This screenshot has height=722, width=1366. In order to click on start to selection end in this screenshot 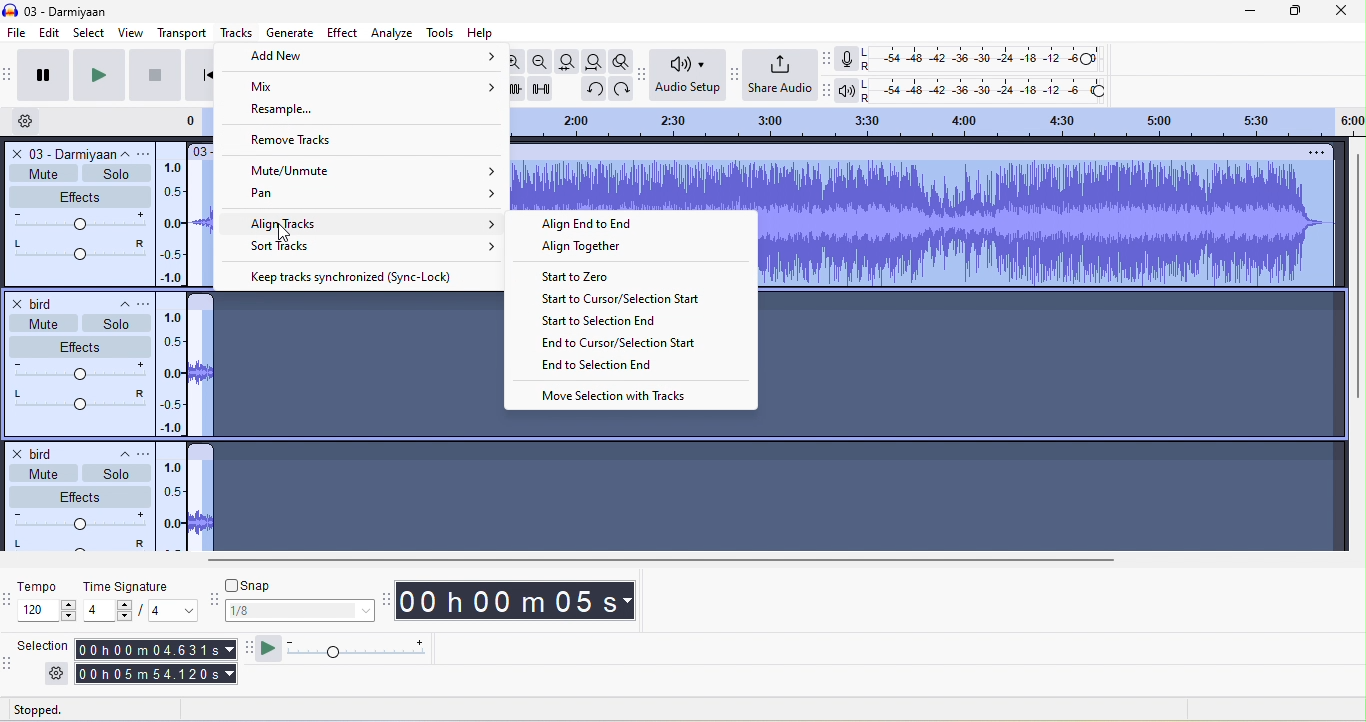, I will do `click(605, 321)`.